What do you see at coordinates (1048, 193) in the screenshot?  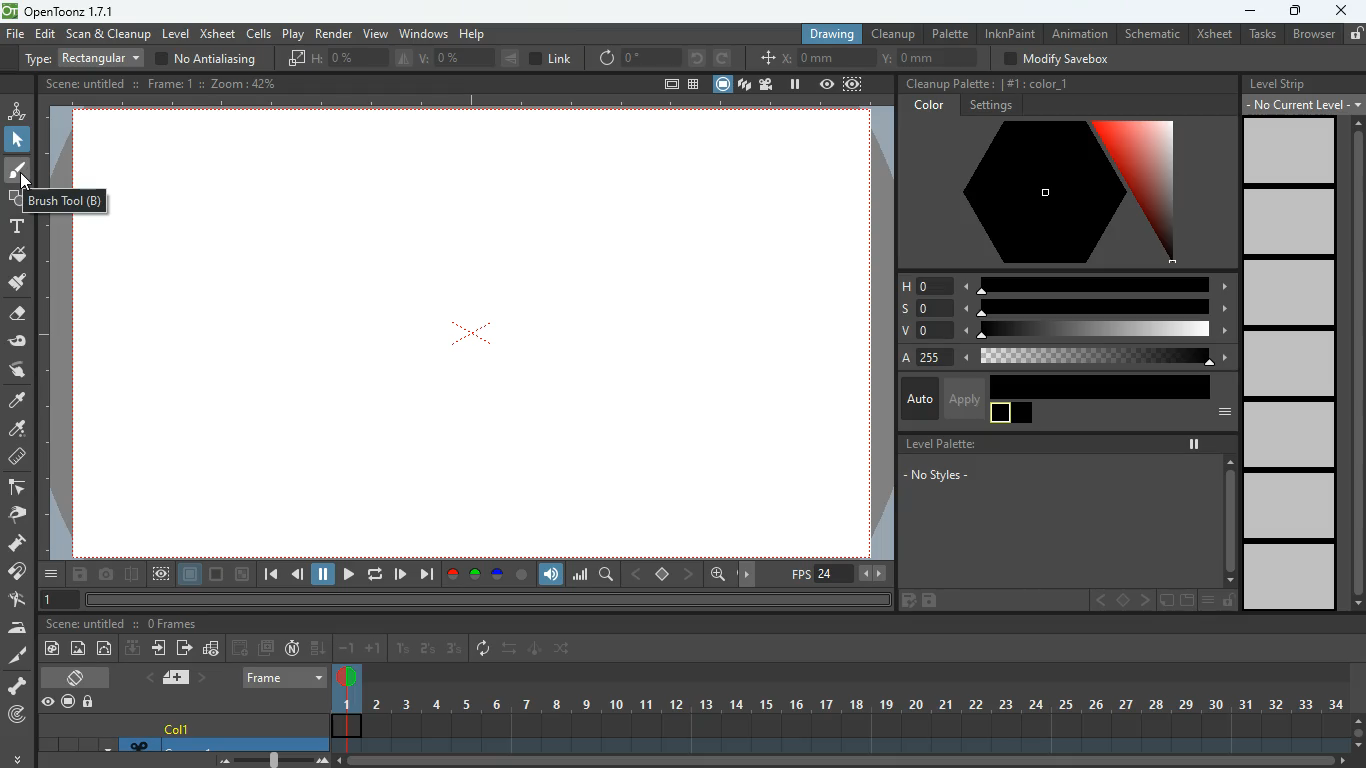 I see `color` at bounding box center [1048, 193].